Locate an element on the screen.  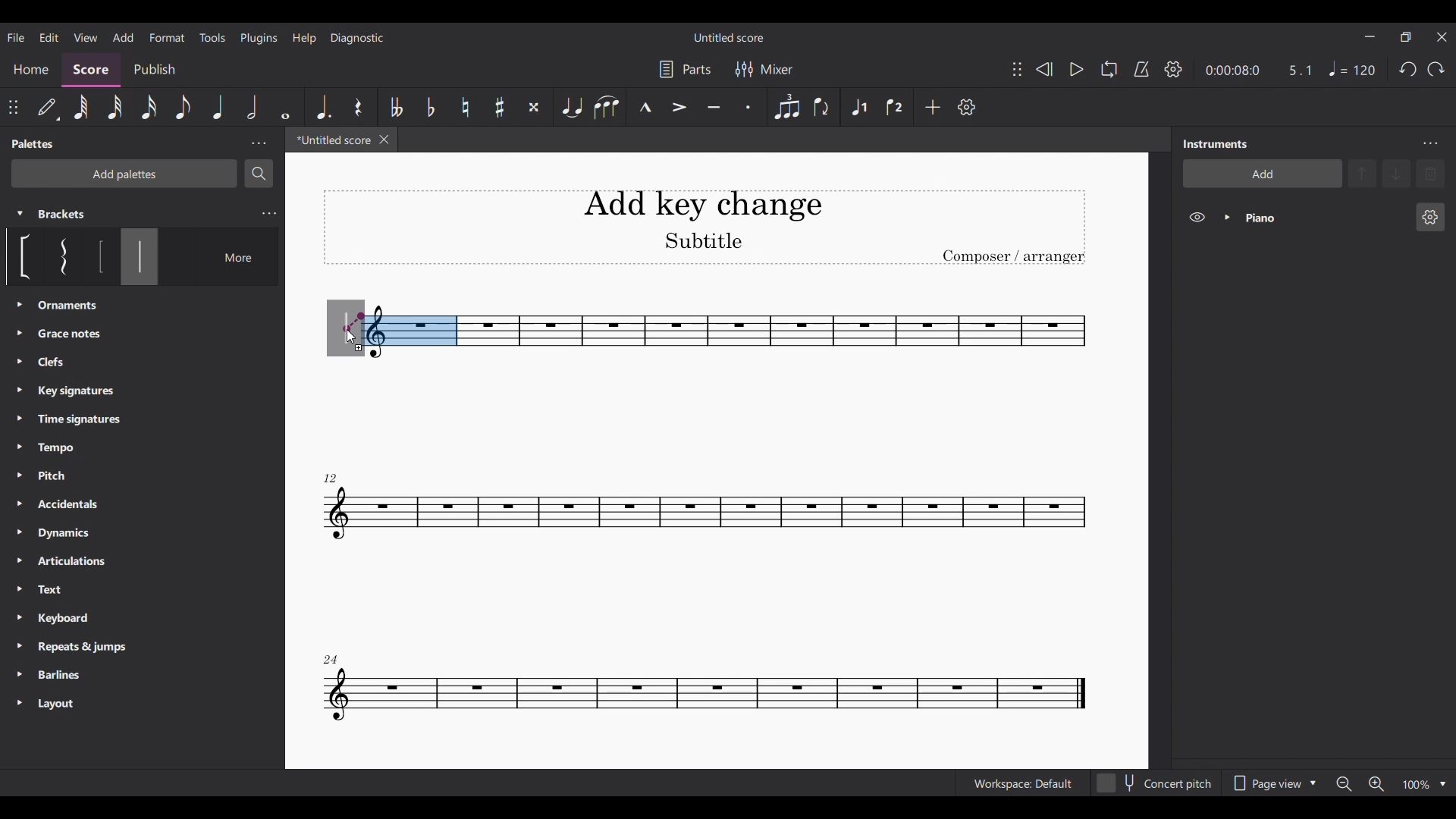
Panel title is located at coordinates (1216, 143).